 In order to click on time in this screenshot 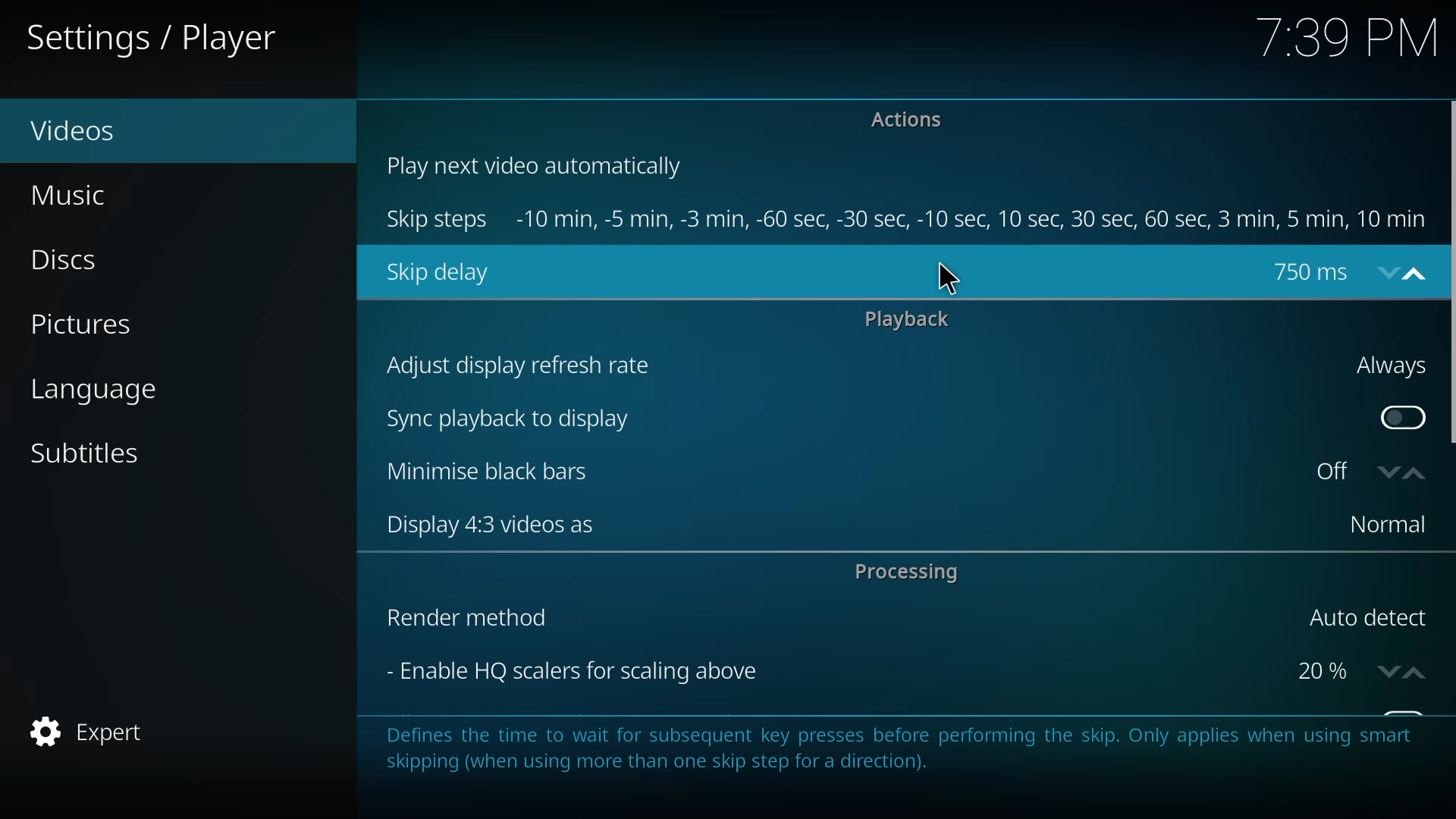, I will do `click(975, 219)`.